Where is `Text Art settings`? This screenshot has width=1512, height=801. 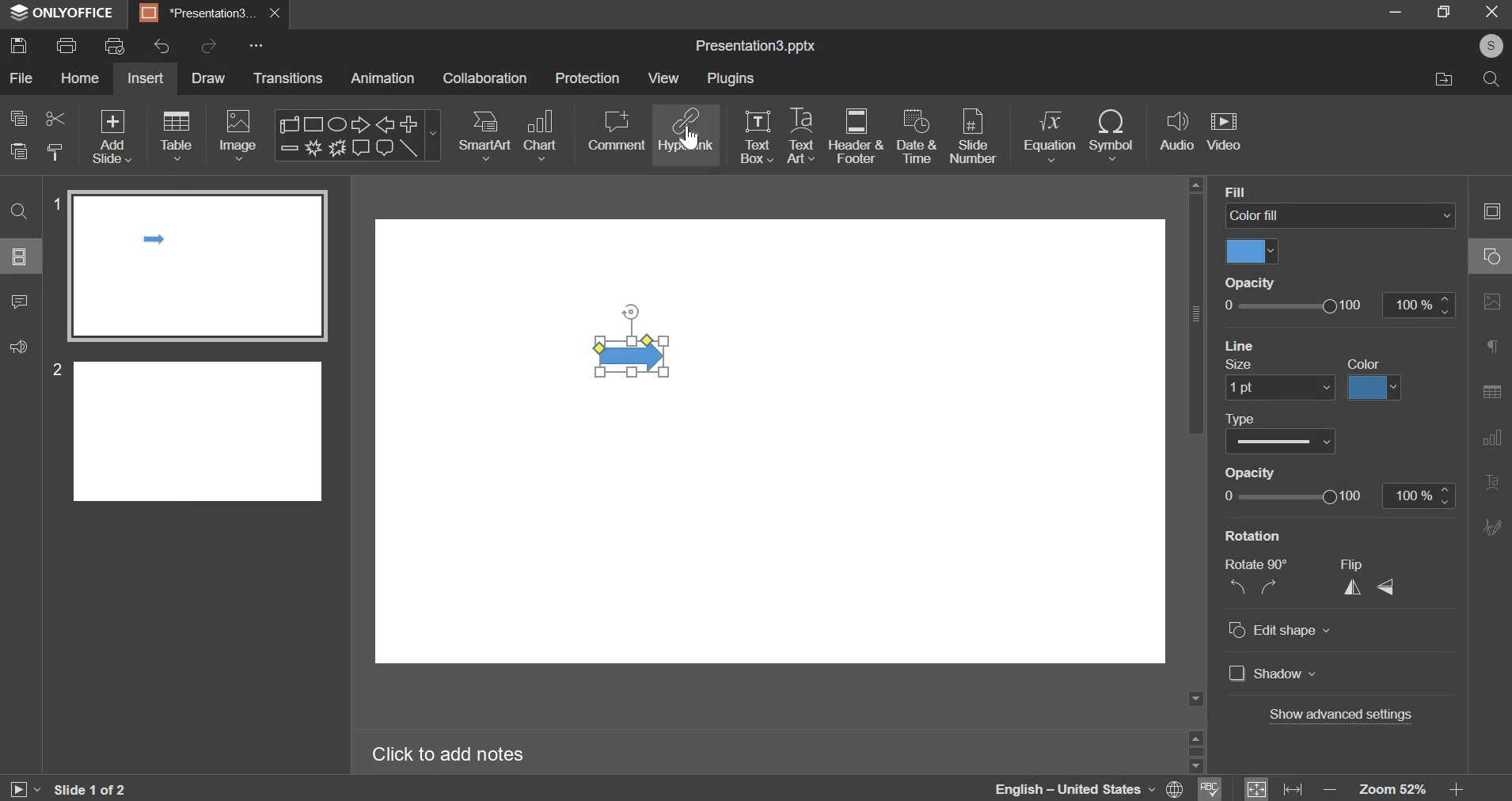 Text Art settings is located at coordinates (1492, 483).